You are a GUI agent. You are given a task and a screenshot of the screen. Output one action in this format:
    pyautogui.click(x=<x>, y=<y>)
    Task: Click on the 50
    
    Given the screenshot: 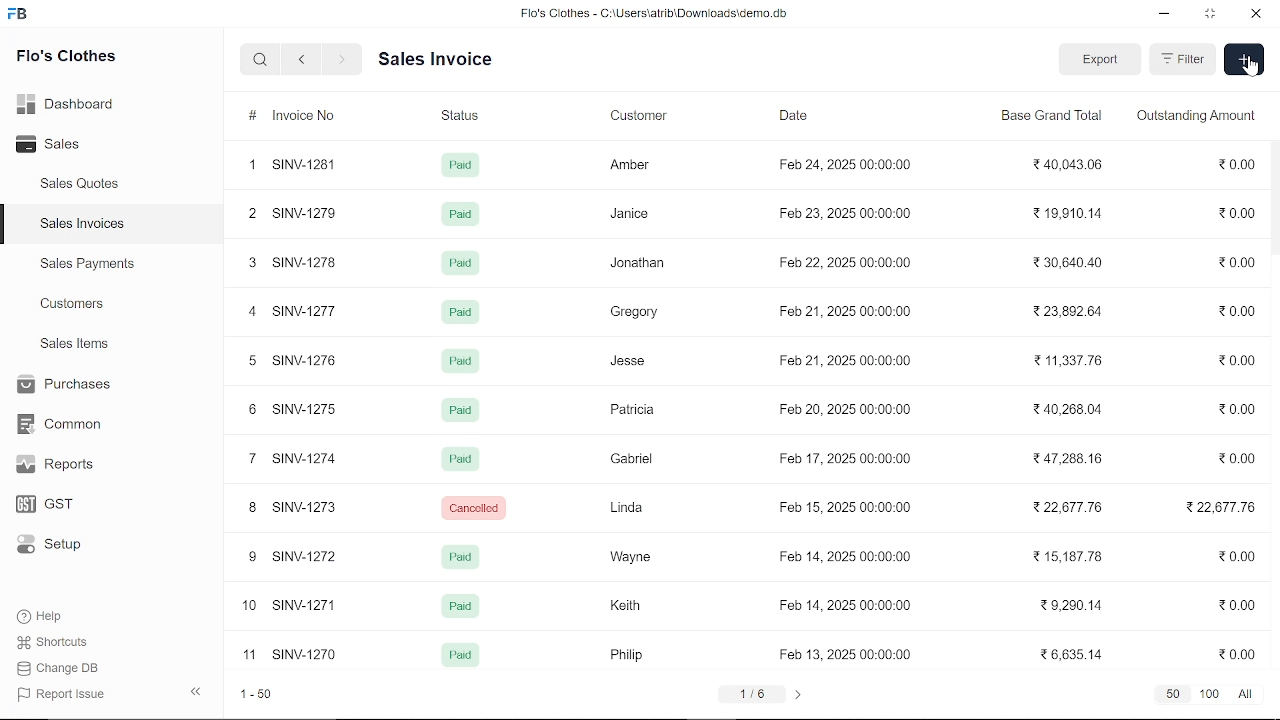 What is the action you would take?
    pyautogui.click(x=1171, y=694)
    